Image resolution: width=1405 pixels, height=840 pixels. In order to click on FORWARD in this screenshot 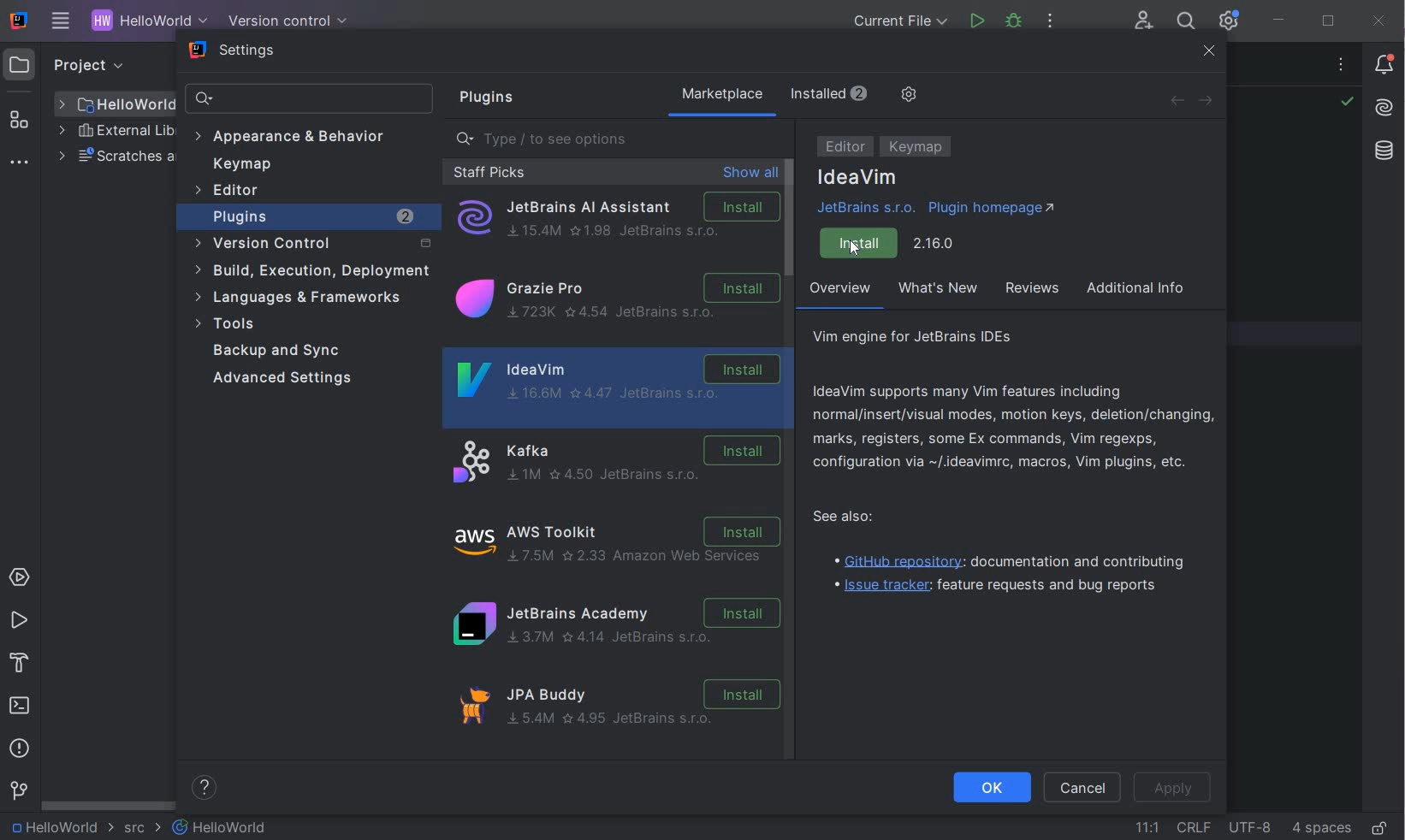, I will do `click(1206, 102)`.